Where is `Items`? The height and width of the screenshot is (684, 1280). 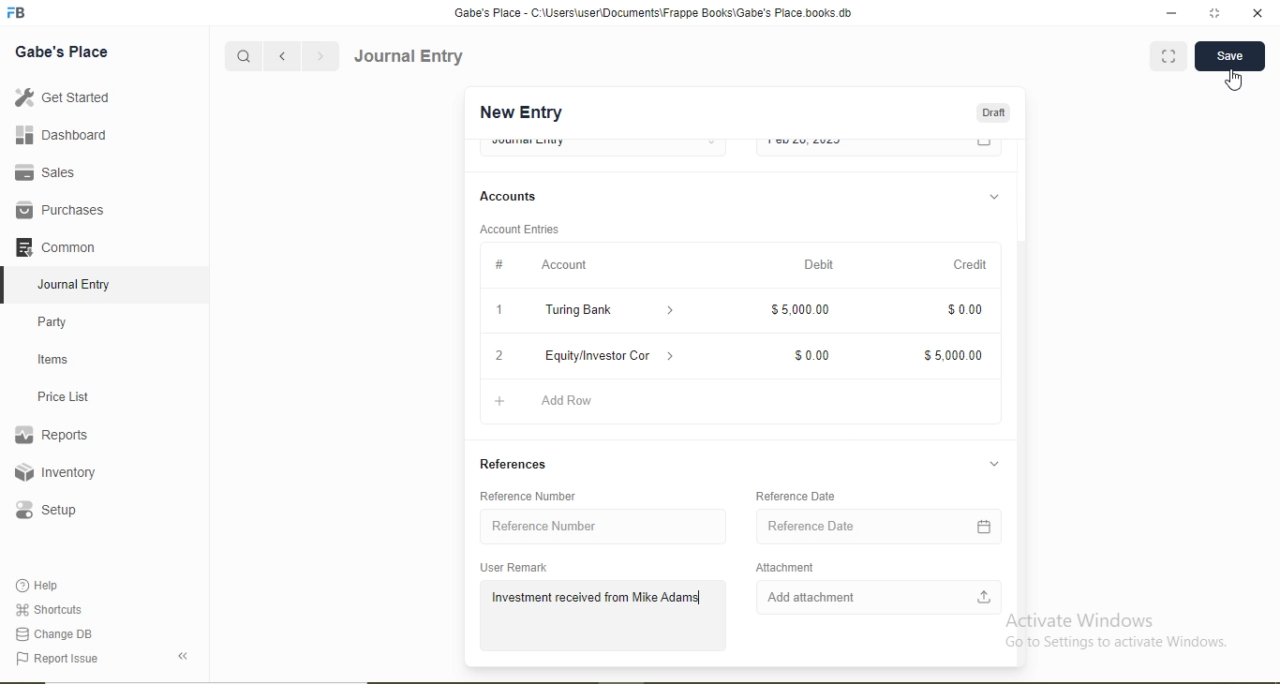
Items is located at coordinates (53, 359).